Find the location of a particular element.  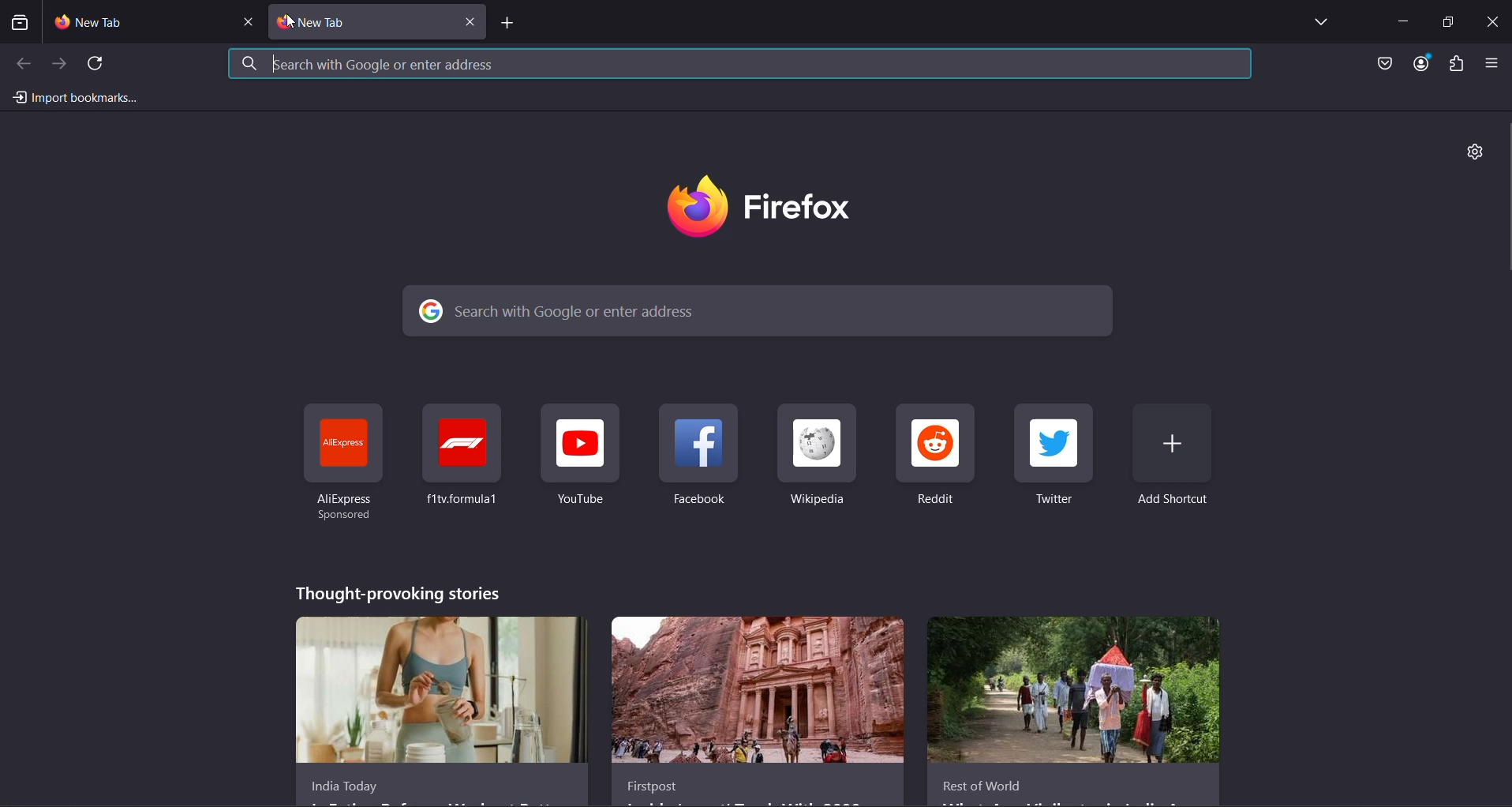

add shortcut is located at coordinates (1173, 459).